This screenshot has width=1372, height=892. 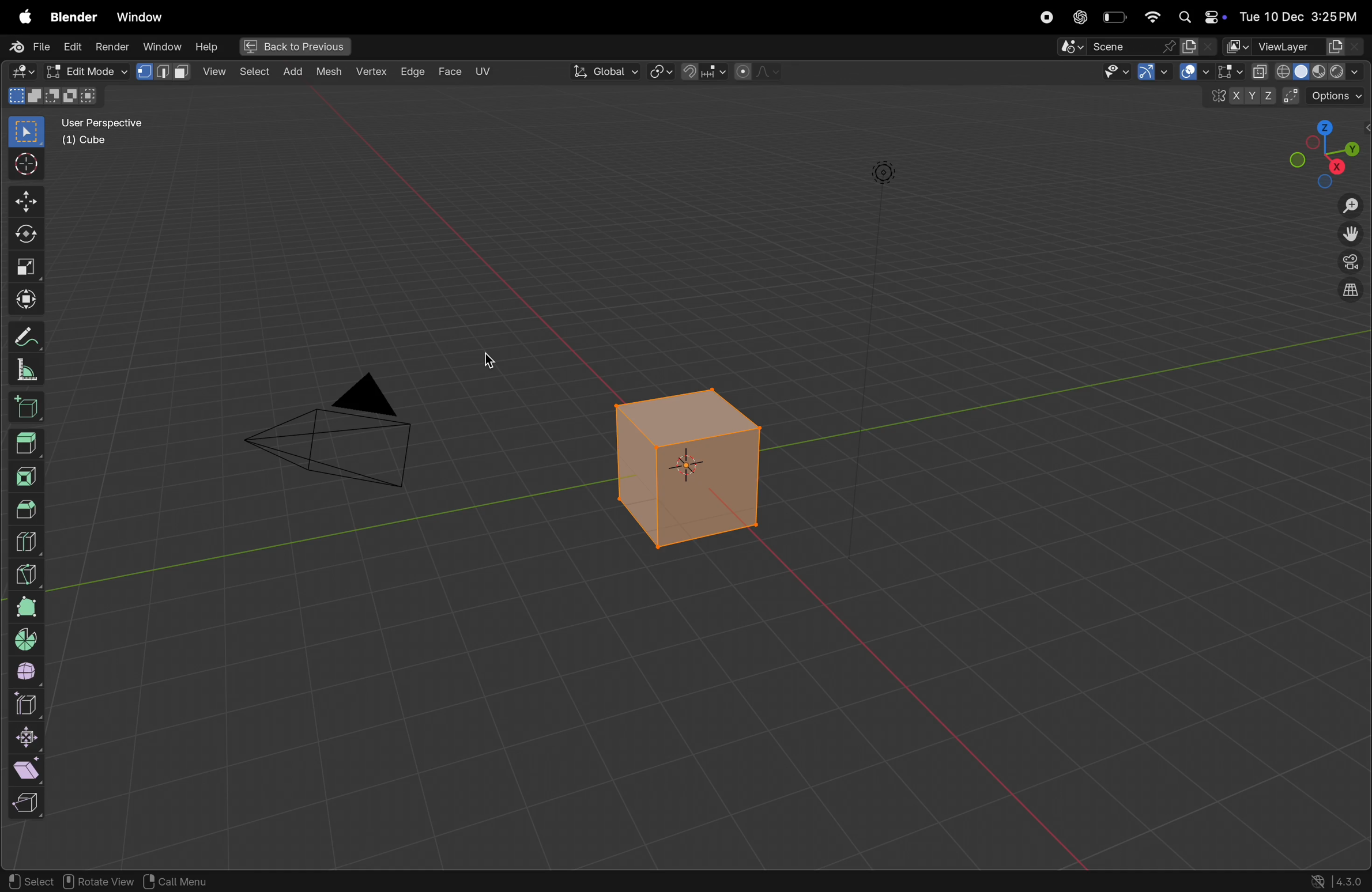 I want to click on 3d cube, so click(x=29, y=410).